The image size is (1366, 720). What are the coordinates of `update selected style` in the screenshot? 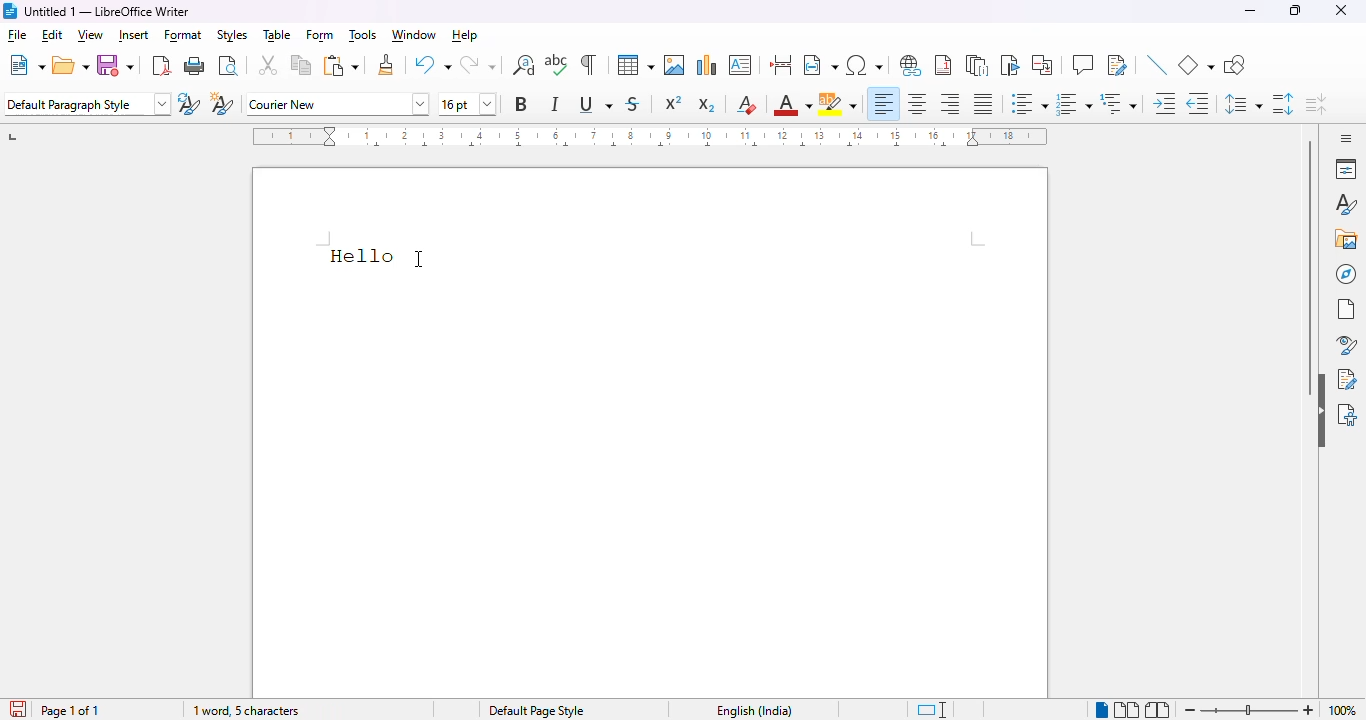 It's located at (190, 104).